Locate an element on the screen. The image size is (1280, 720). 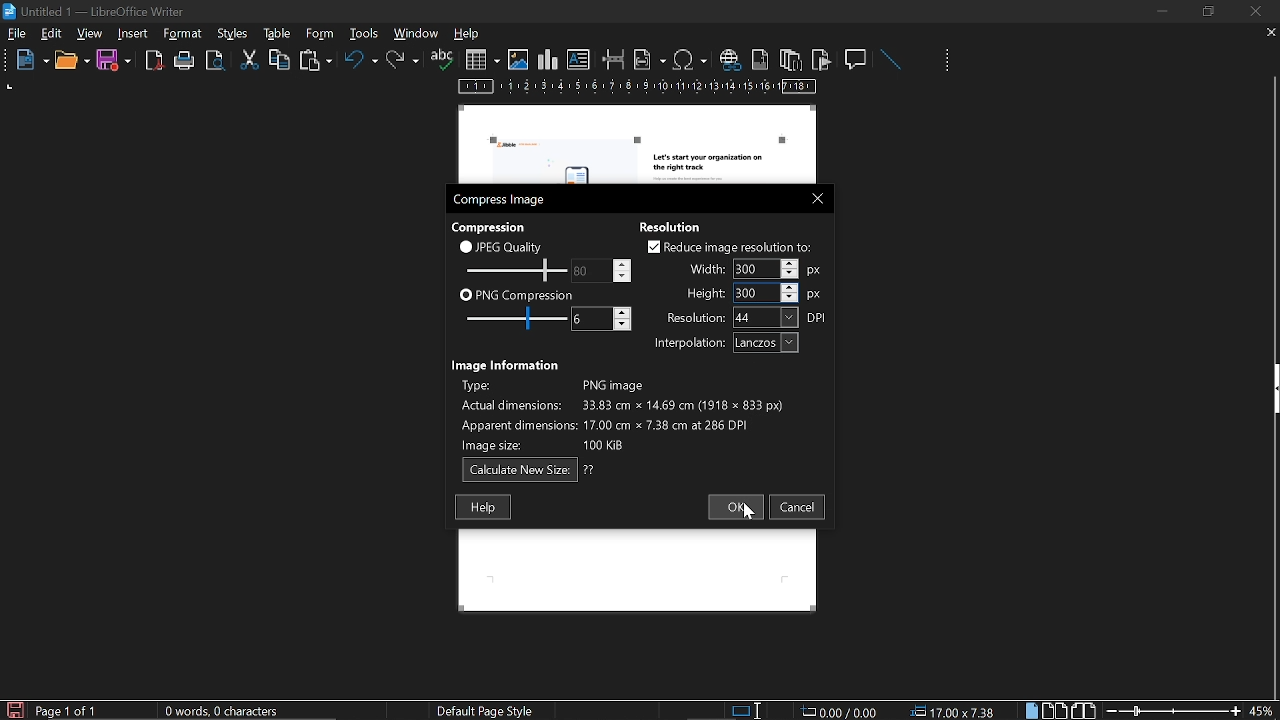
new is located at coordinates (27, 61).